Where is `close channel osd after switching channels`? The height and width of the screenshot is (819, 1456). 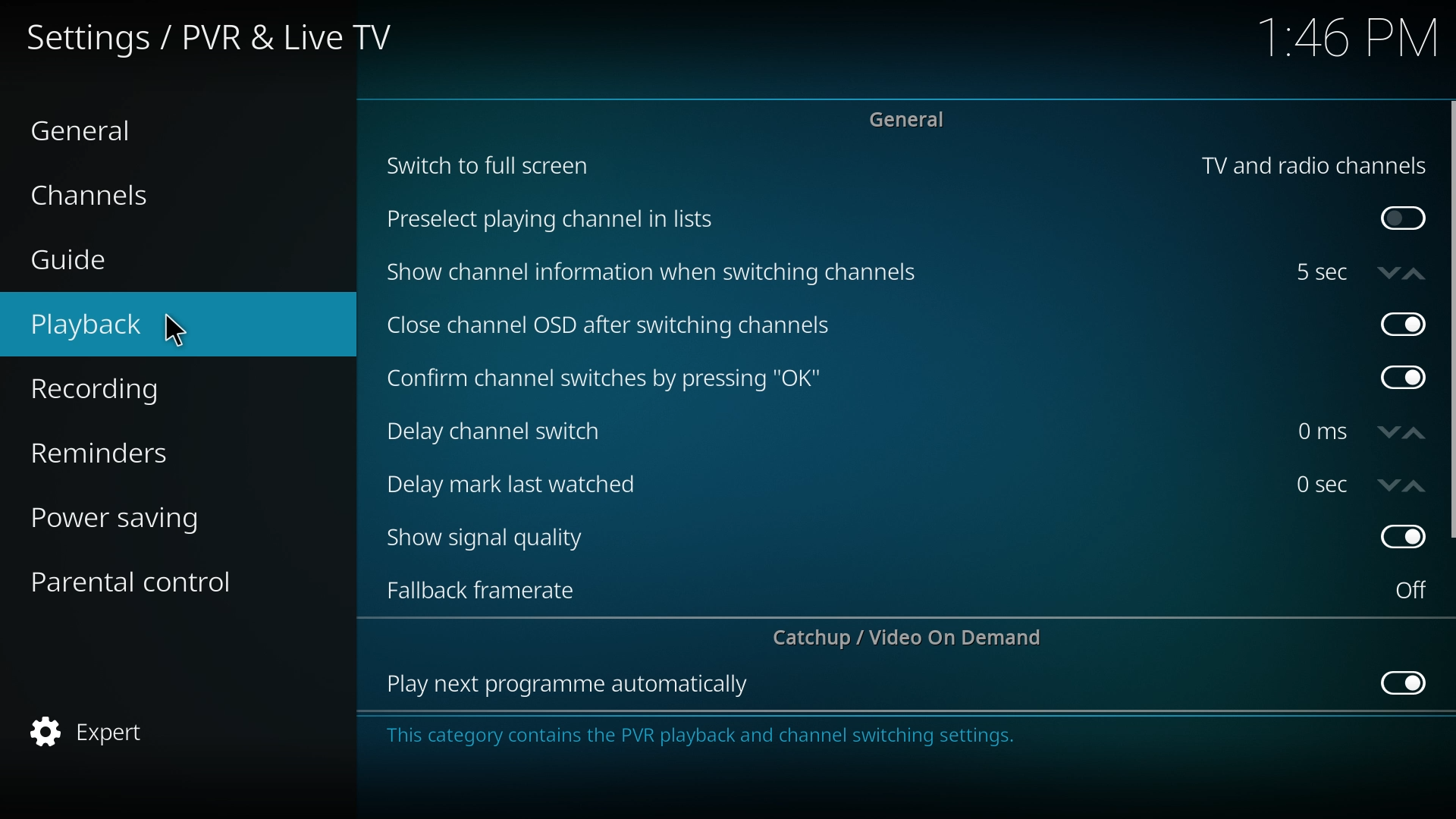 close channel osd after switching channels is located at coordinates (613, 327).